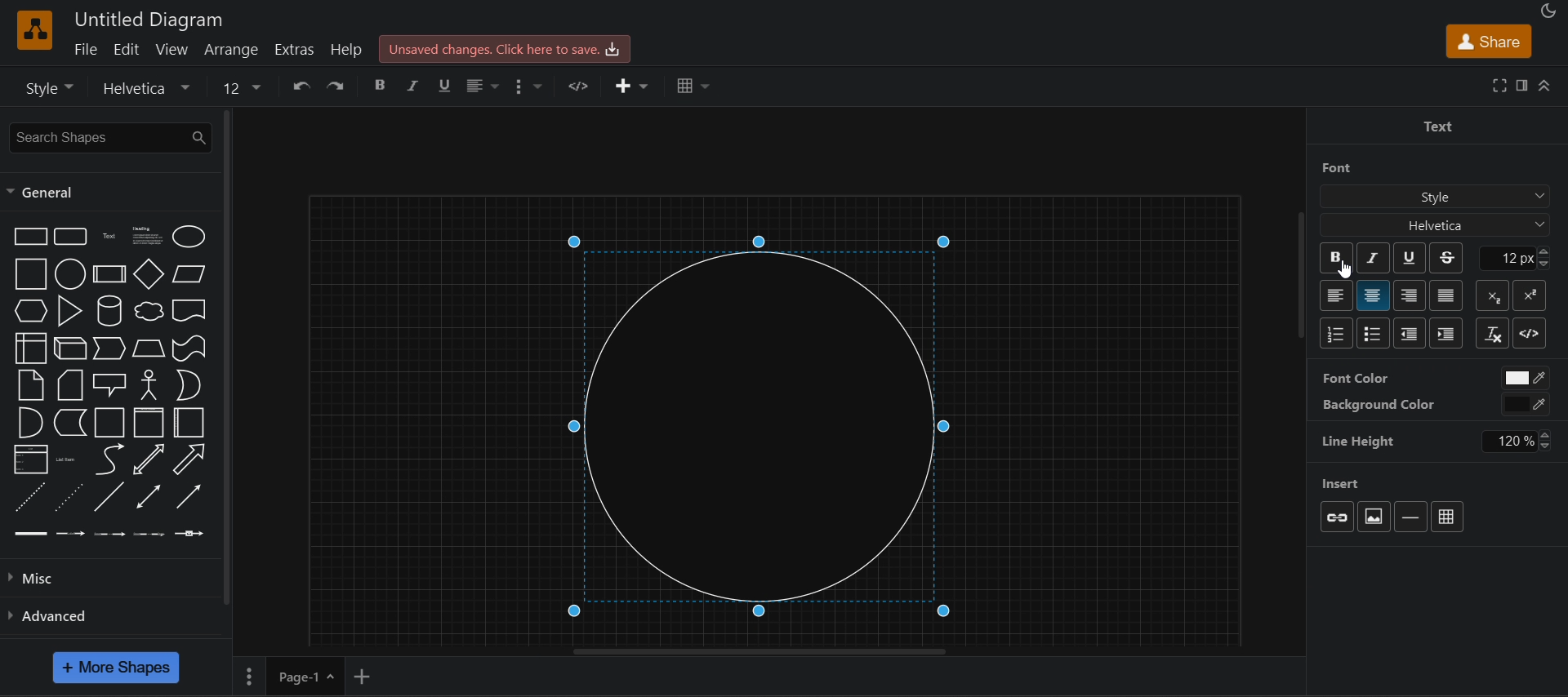  What do you see at coordinates (174, 51) in the screenshot?
I see `view` at bounding box center [174, 51].